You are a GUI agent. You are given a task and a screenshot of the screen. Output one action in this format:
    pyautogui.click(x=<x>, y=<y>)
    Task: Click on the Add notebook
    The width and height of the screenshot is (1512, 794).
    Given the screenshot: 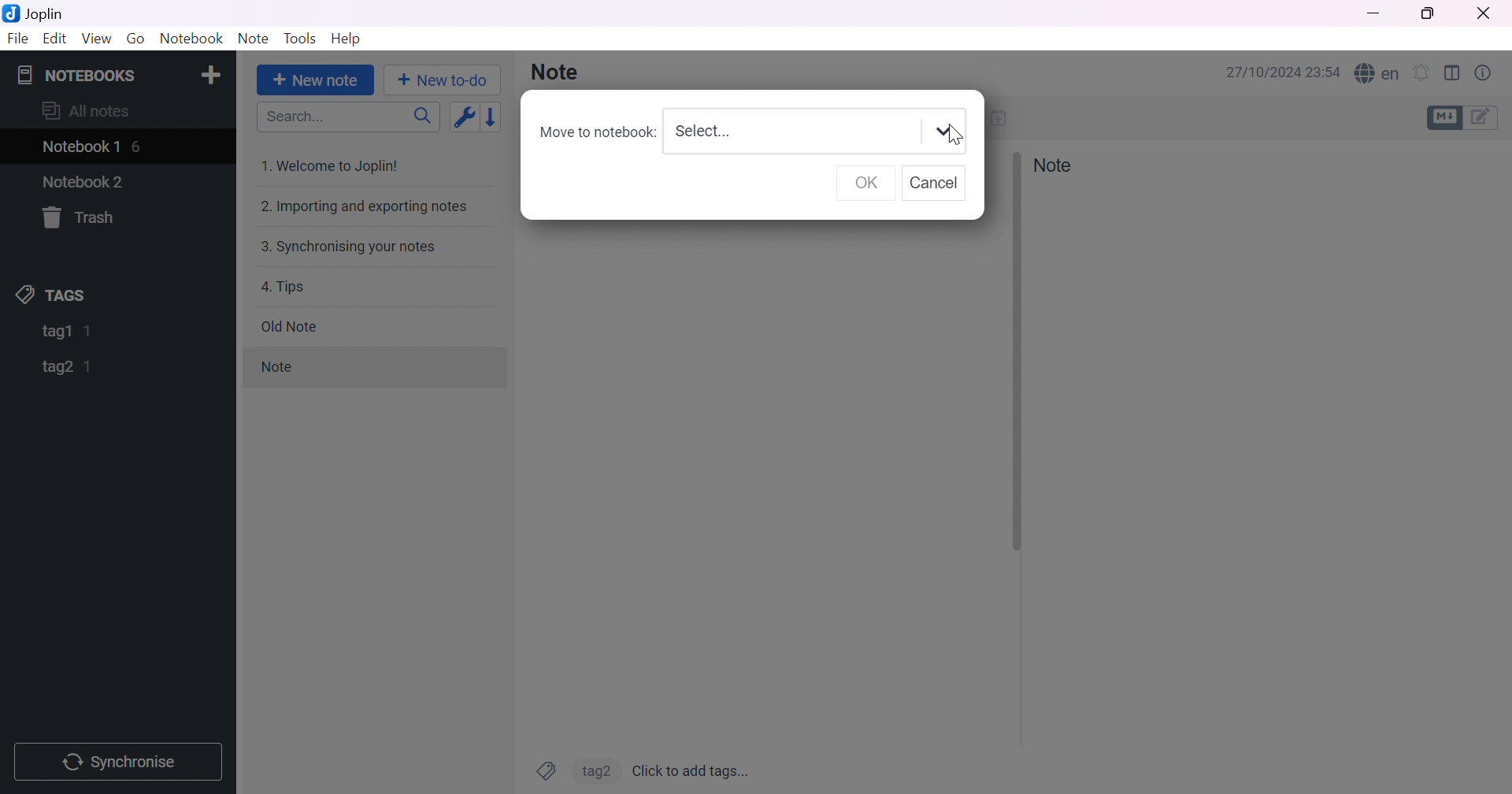 What is the action you would take?
    pyautogui.click(x=212, y=74)
    